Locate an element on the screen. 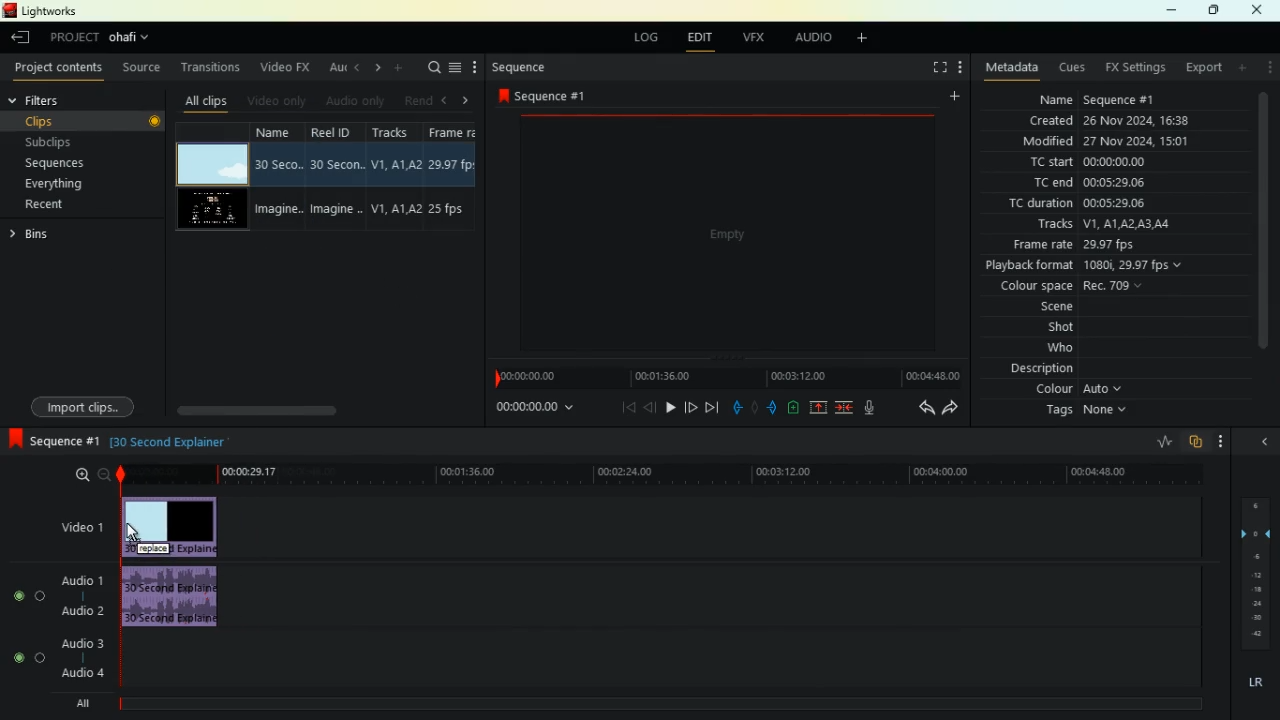  toggle is located at coordinates (40, 658).